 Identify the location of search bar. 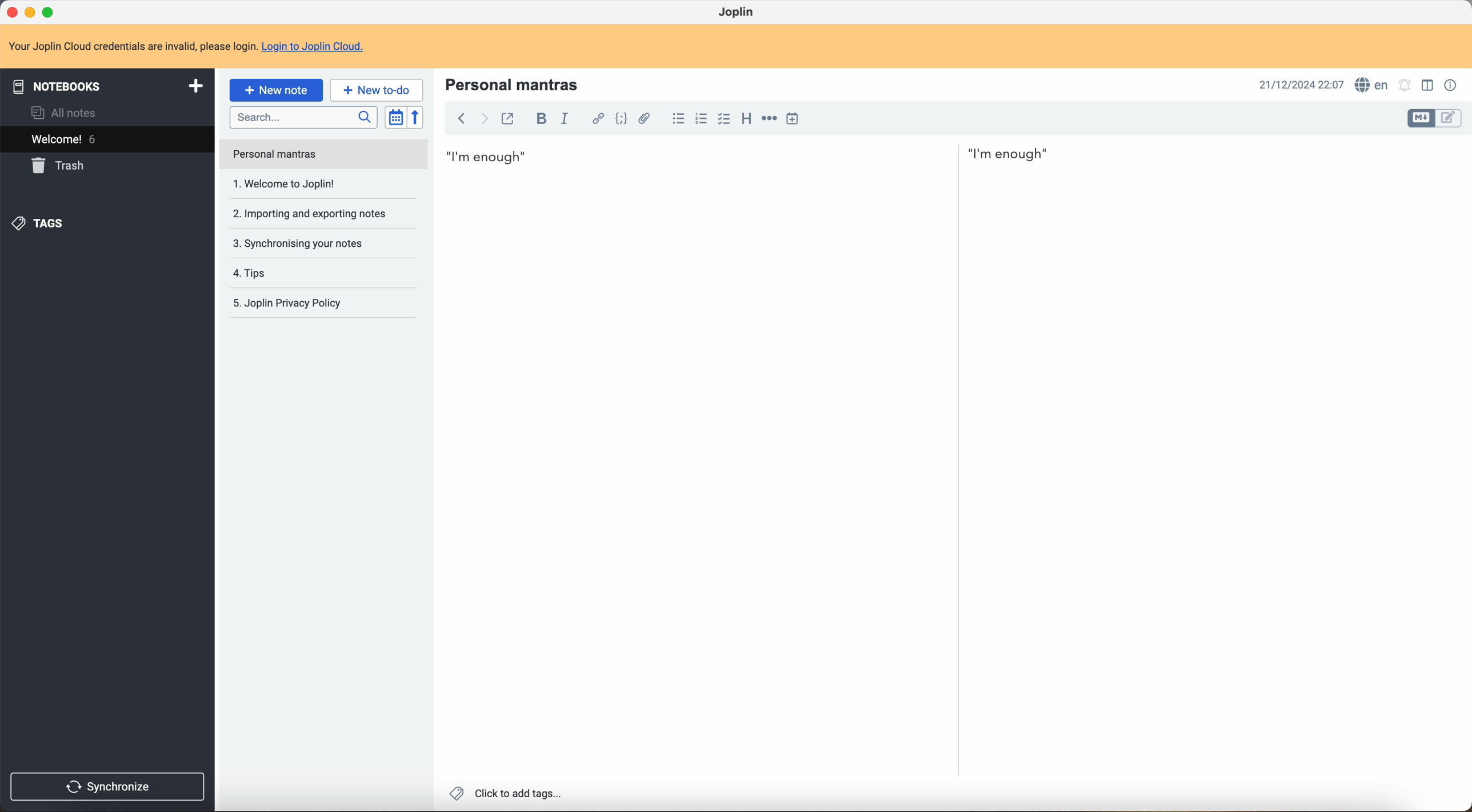
(305, 118).